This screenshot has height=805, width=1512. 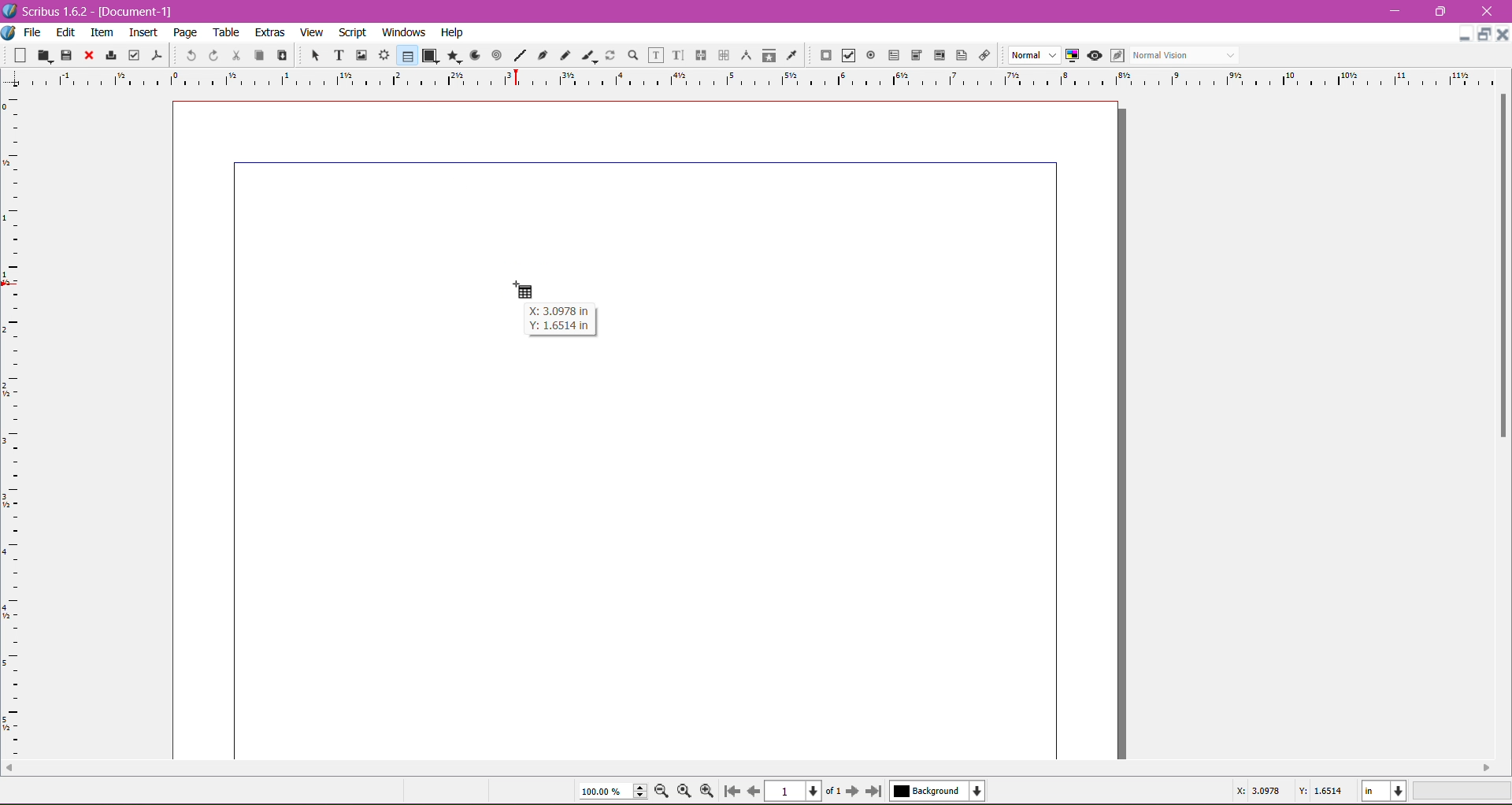 I want to click on Save as PDF, so click(x=159, y=52).